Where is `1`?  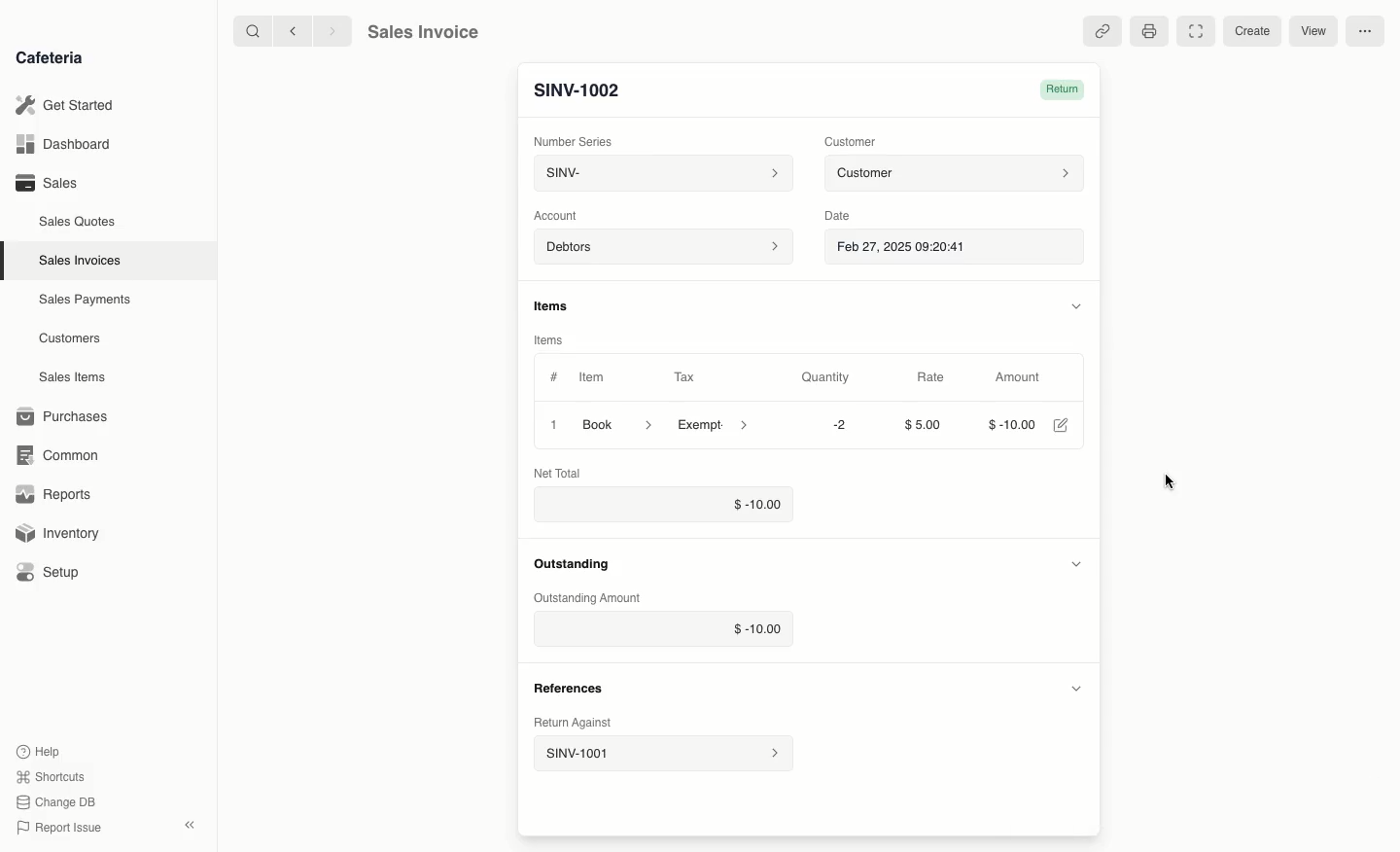
1 is located at coordinates (550, 424).